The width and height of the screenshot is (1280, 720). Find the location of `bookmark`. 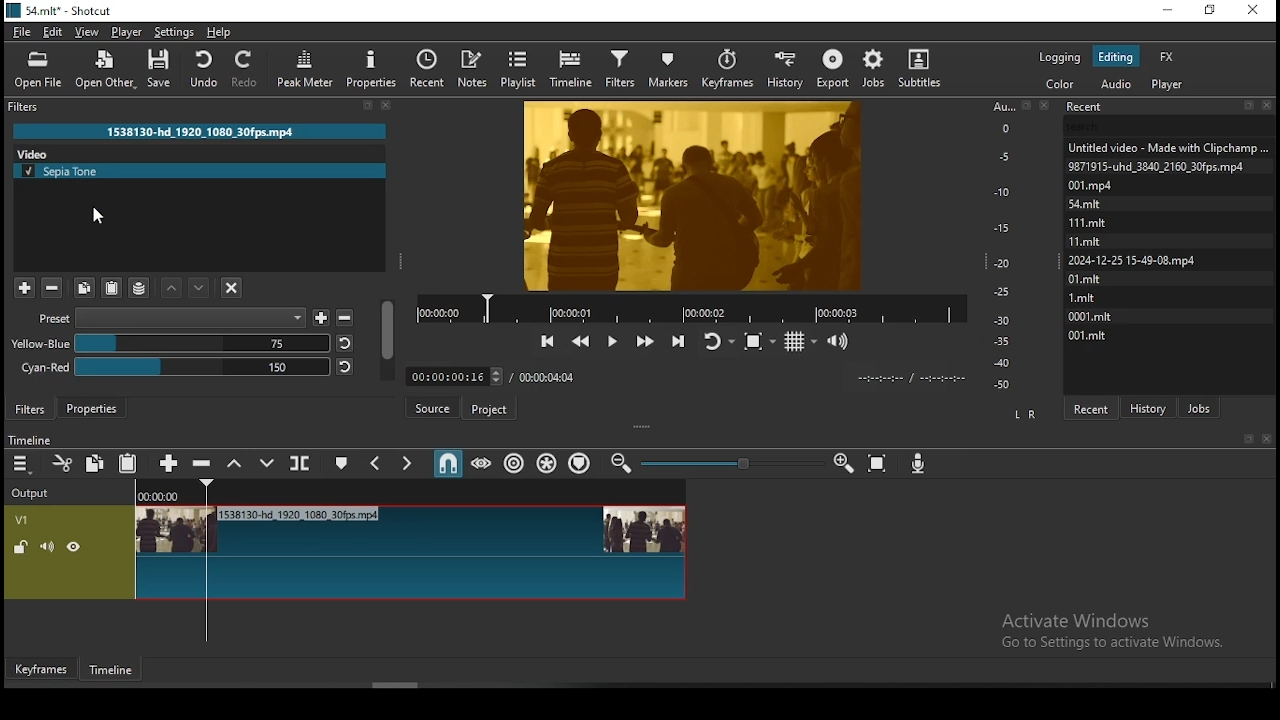

bookmark is located at coordinates (1247, 439).